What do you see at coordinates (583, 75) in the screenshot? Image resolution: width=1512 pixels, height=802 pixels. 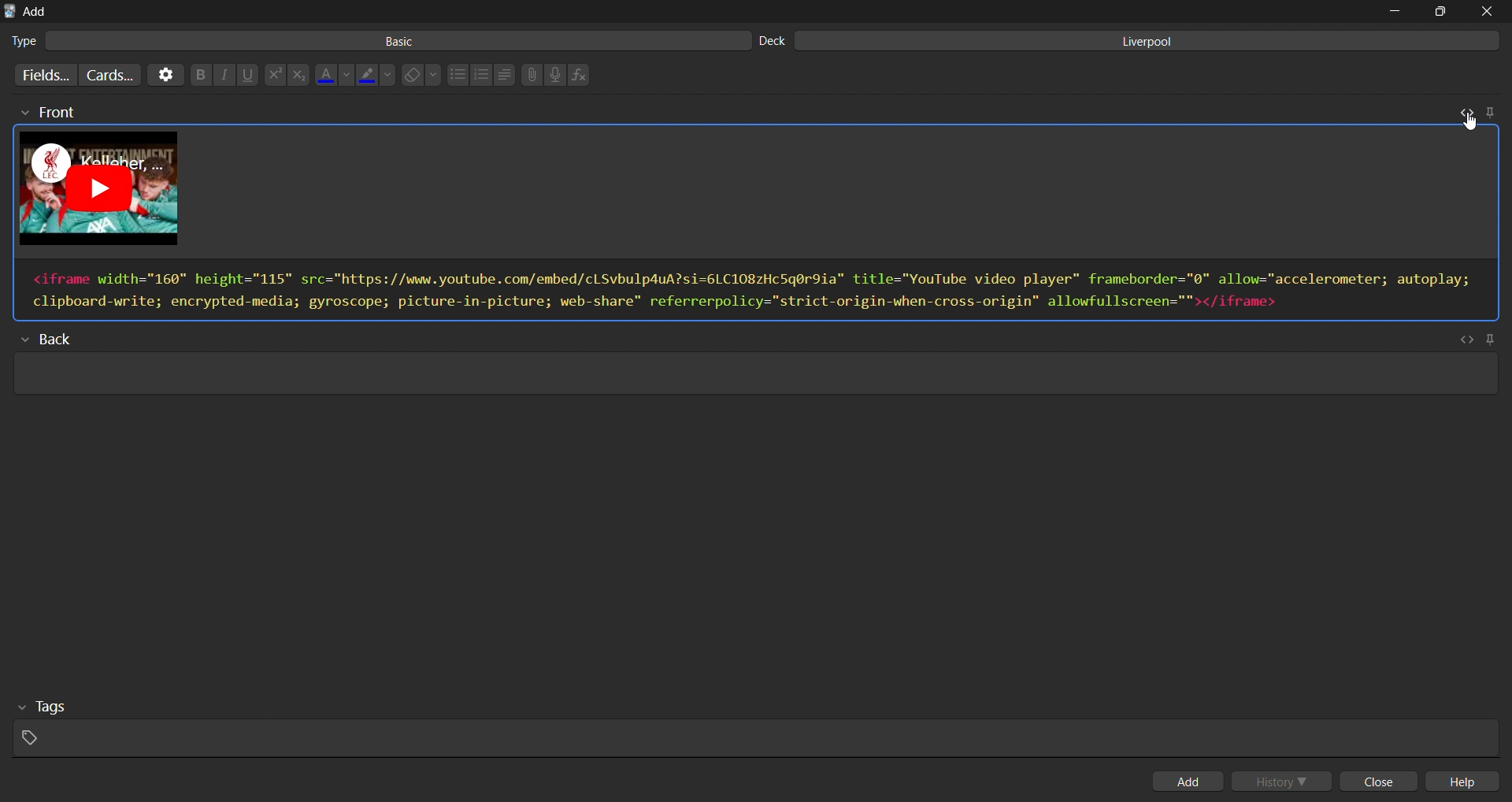 I see `insert function` at bounding box center [583, 75].